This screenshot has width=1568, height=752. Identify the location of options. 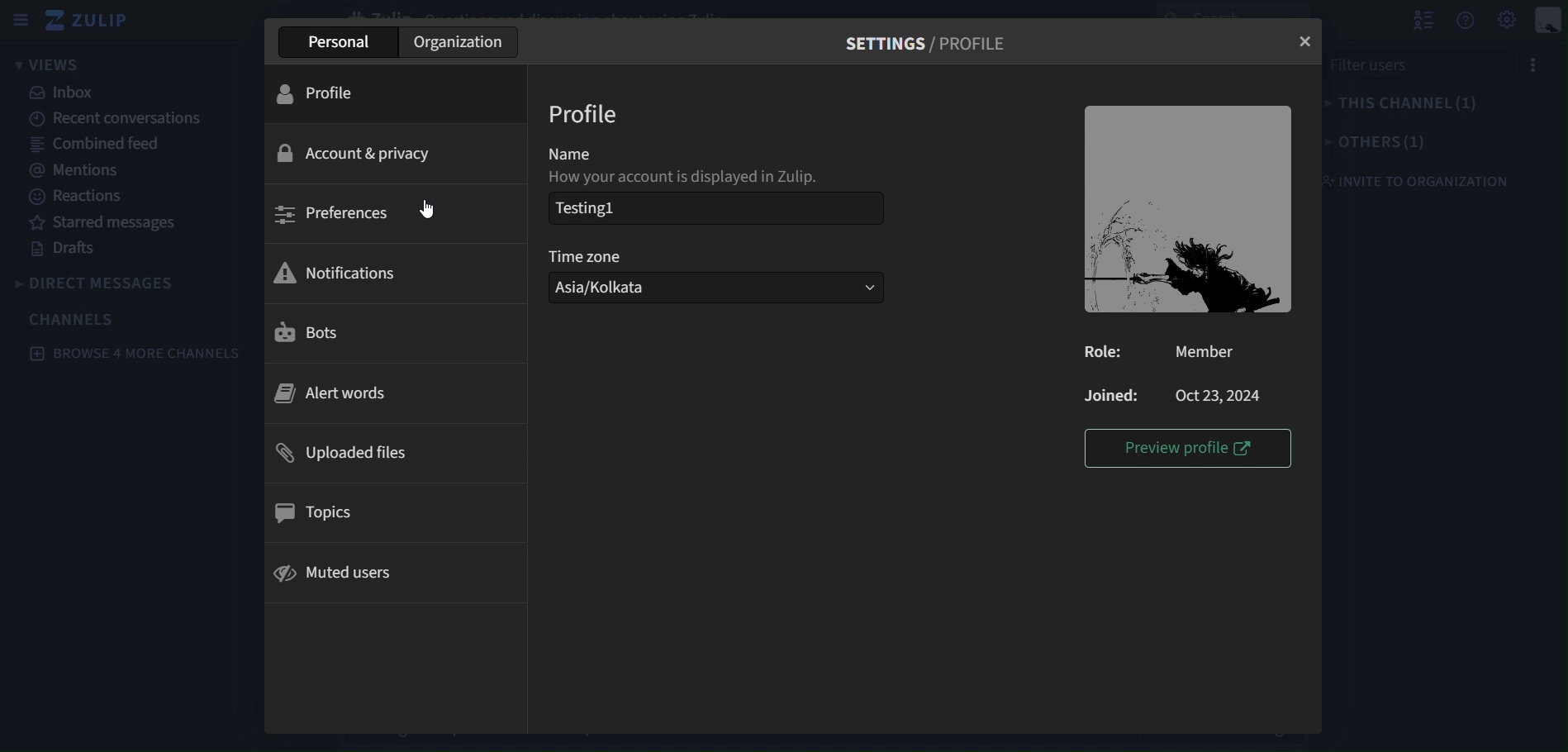
(1535, 63).